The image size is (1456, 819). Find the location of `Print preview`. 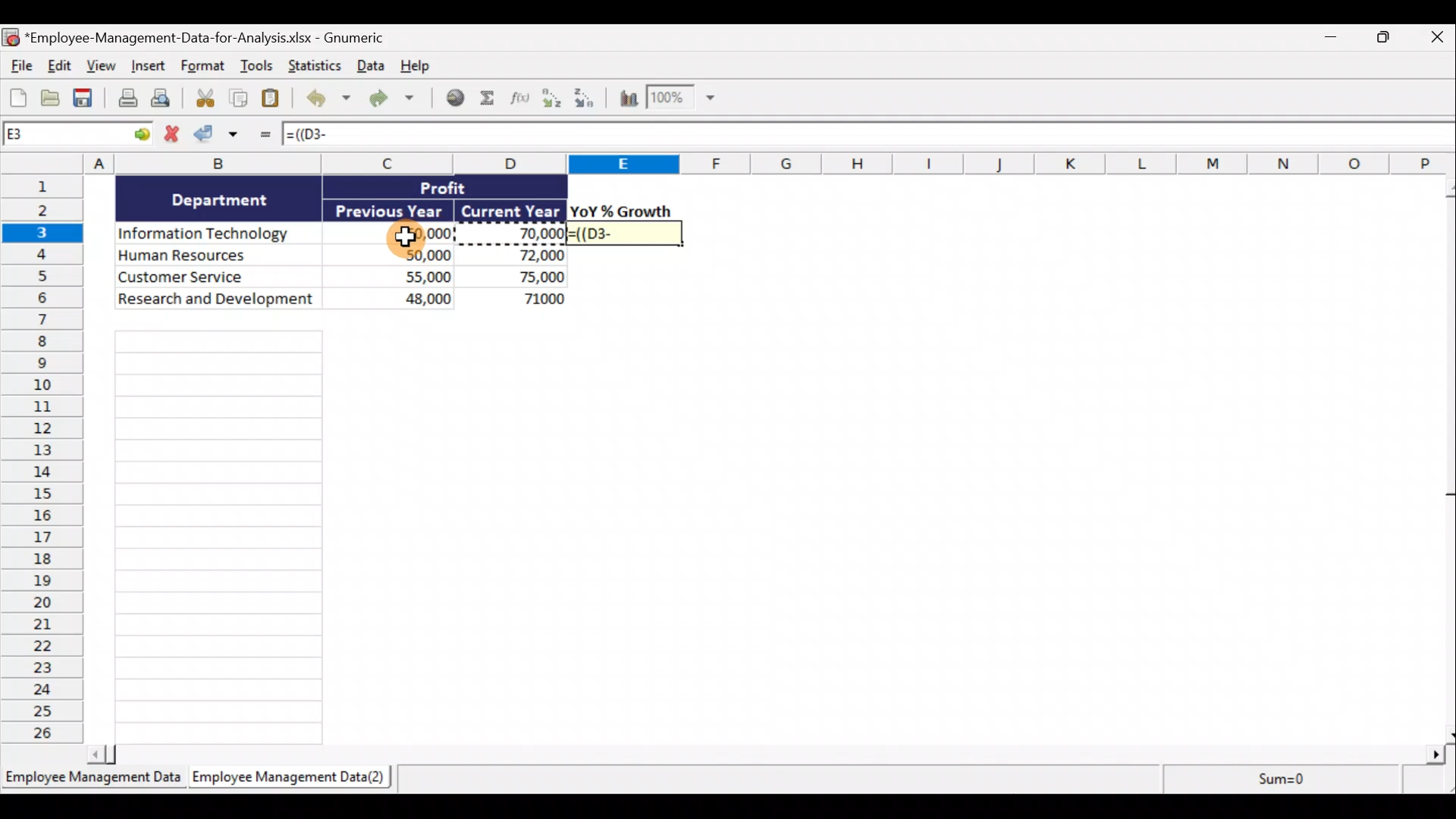

Print preview is located at coordinates (162, 99).